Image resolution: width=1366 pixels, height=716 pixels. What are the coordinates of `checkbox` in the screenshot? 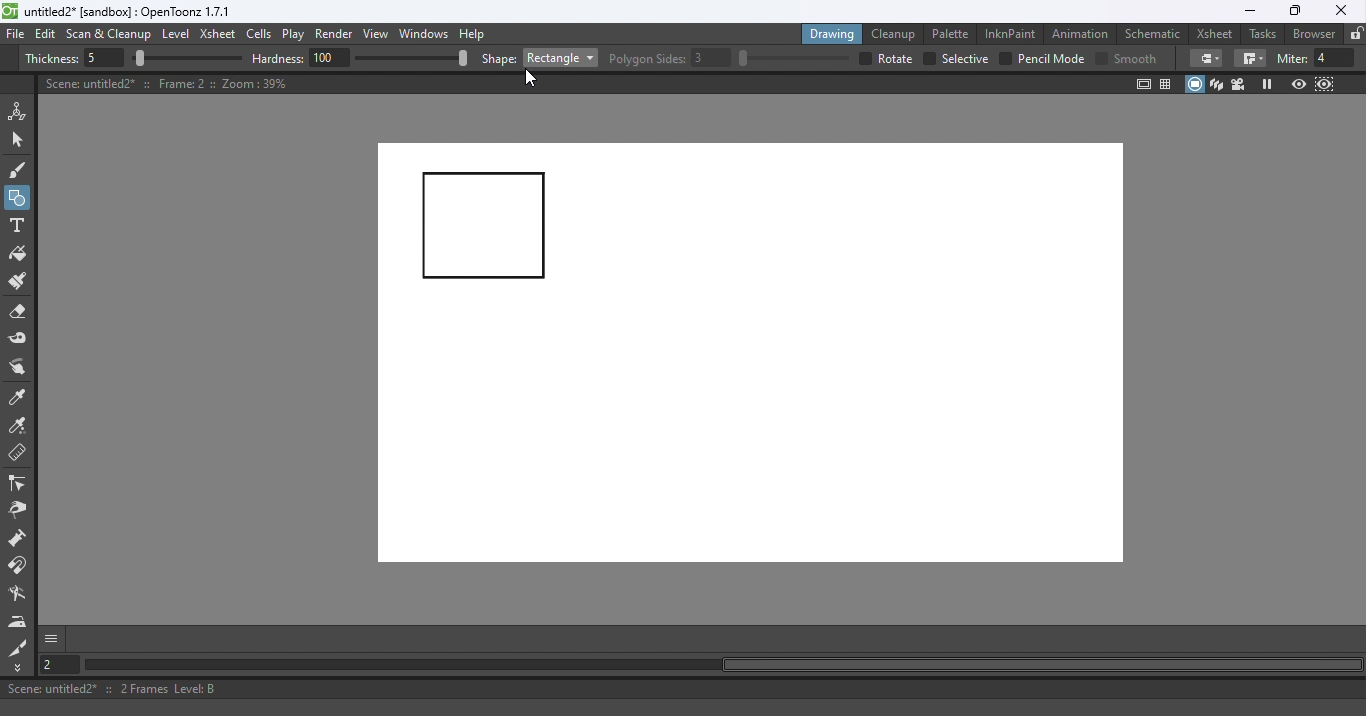 It's located at (863, 58).